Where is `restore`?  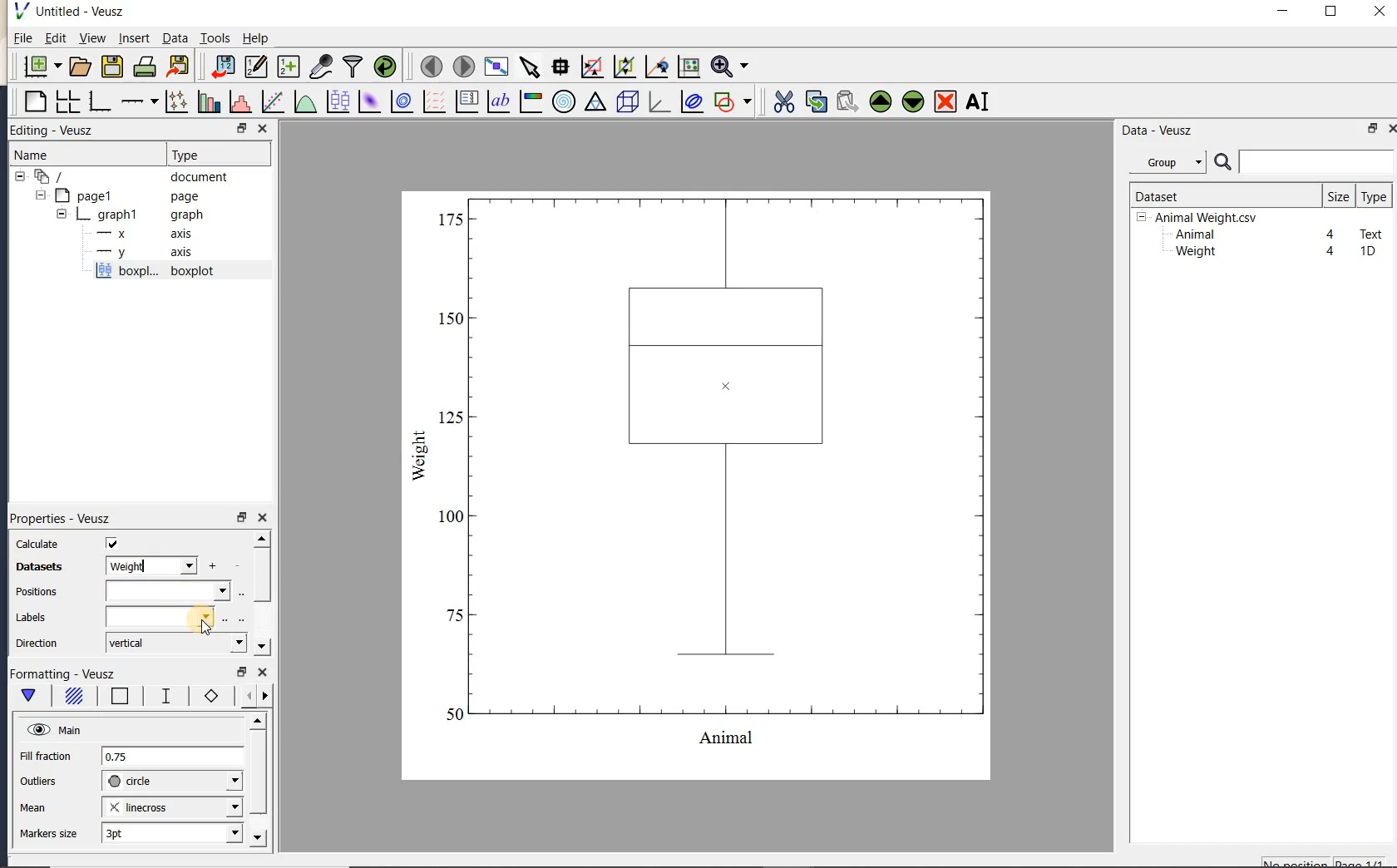
restore is located at coordinates (1374, 128).